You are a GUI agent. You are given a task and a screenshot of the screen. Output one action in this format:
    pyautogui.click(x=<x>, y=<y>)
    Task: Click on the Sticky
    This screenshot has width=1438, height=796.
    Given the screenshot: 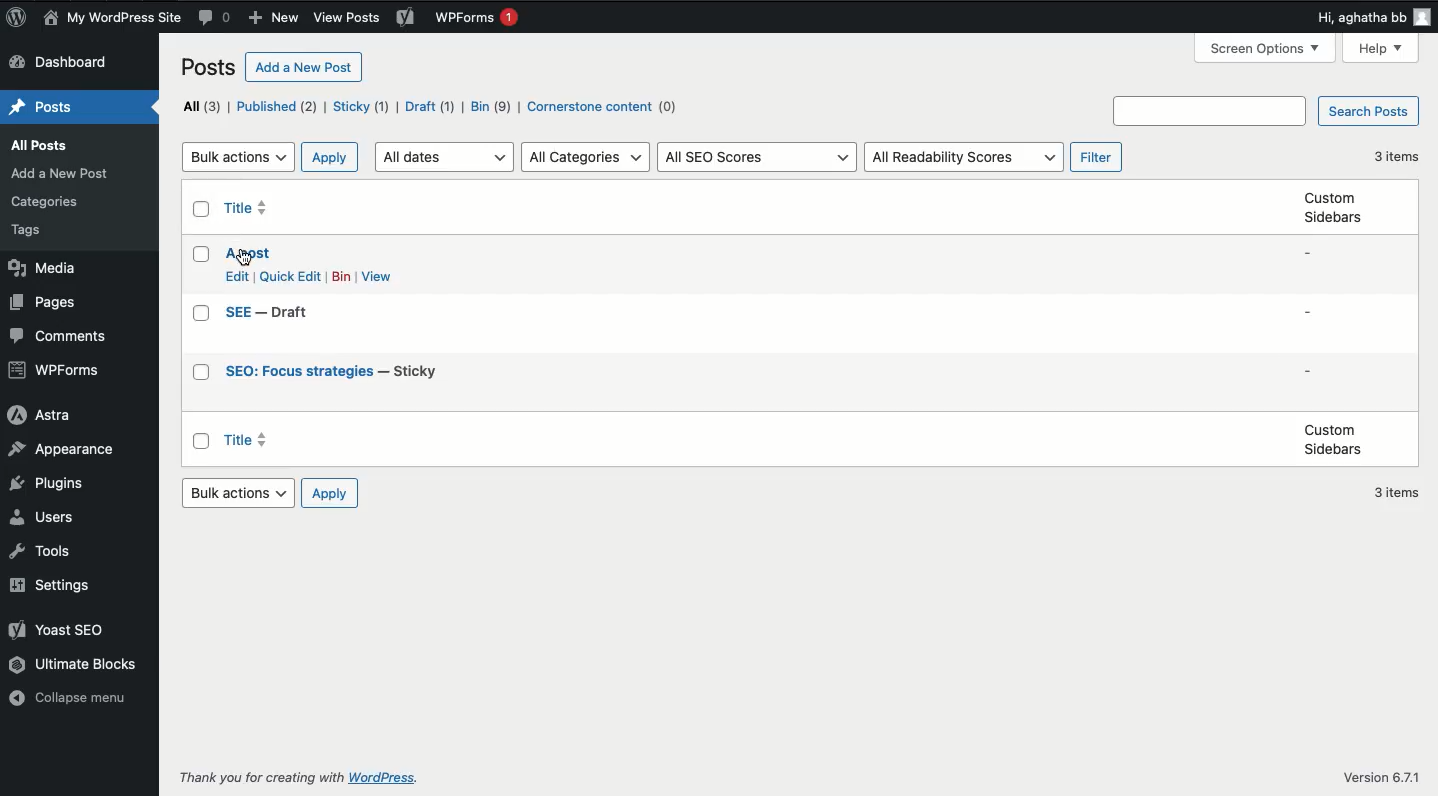 What is the action you would take?
    pyautogui.click(x=361, y=108)
    